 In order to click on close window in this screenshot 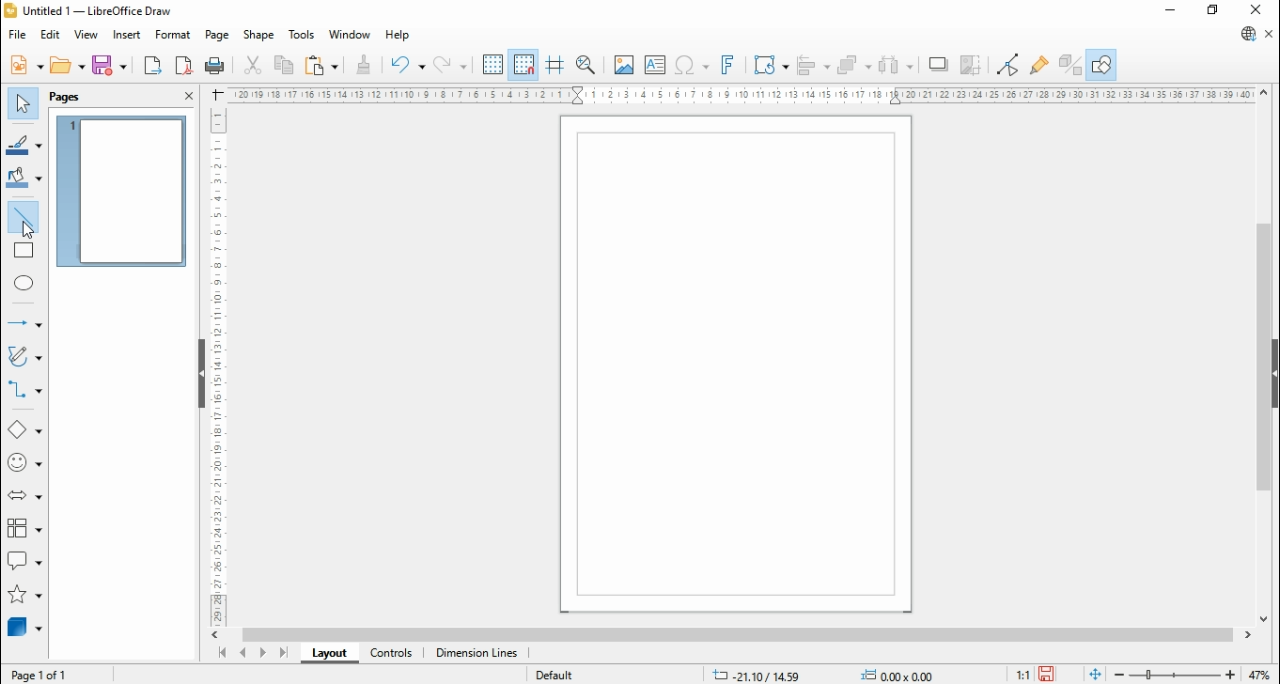, I will do `click(1255, 11)`.